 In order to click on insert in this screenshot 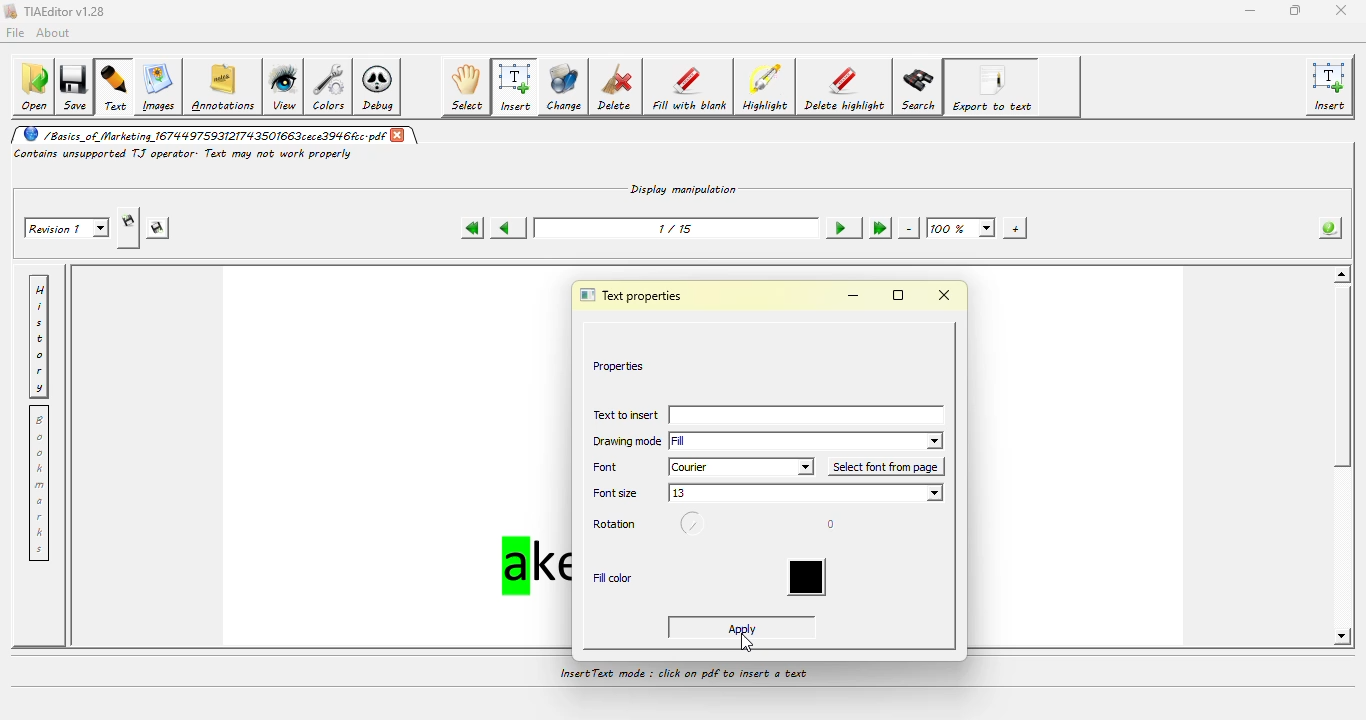, I will do `click(809, 416)`.